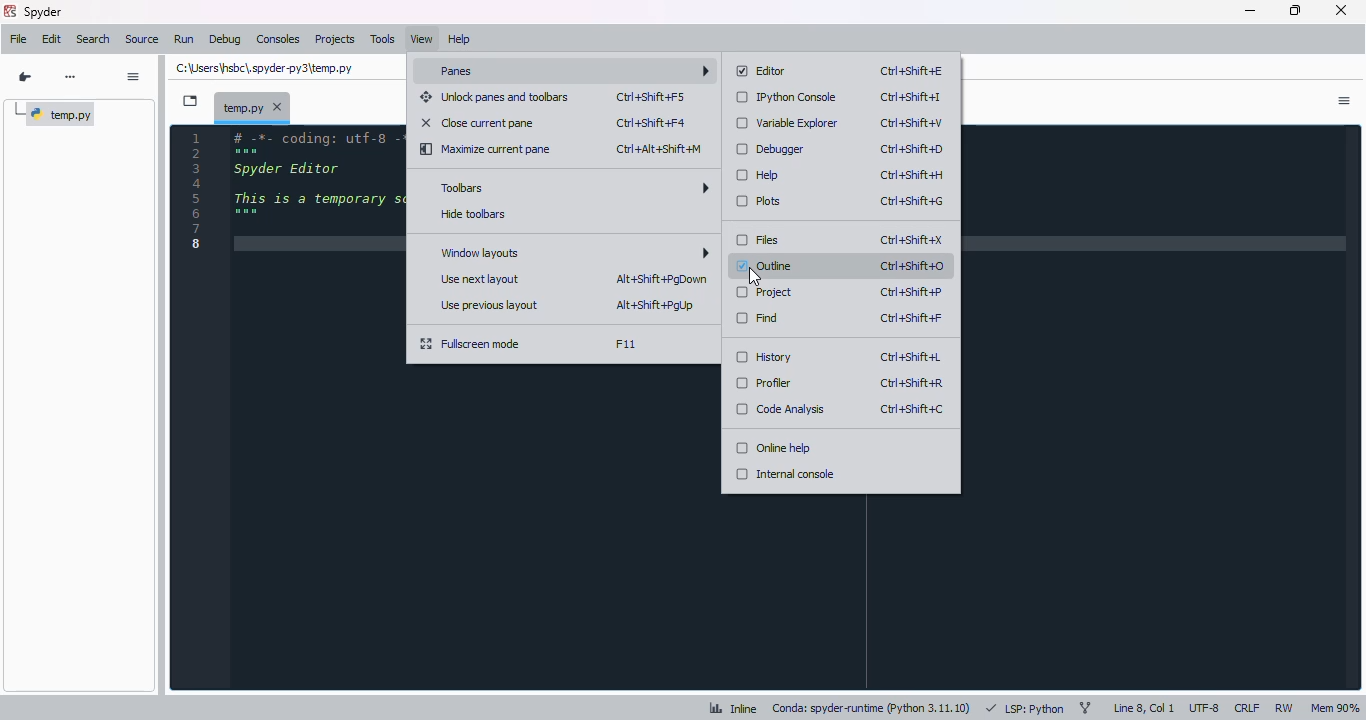 This screenshot has width=1366, height=720. What do you see at coordinates (495, 97) in the screenshot?
I see `unlock panes and toolbars` at bounding box center [495, 97].